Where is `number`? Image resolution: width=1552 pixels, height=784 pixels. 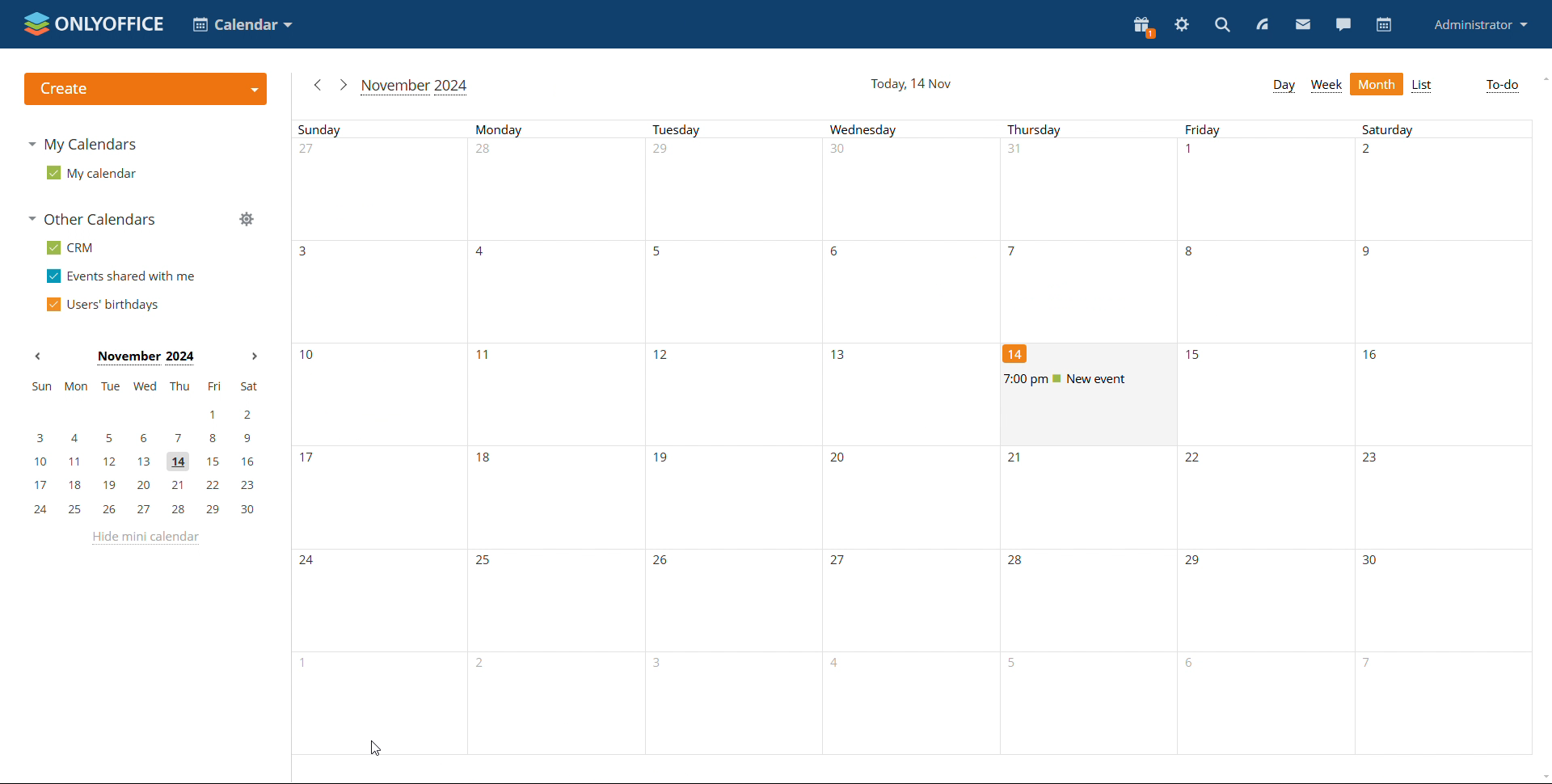
number is located at coordinates (1372, 356).